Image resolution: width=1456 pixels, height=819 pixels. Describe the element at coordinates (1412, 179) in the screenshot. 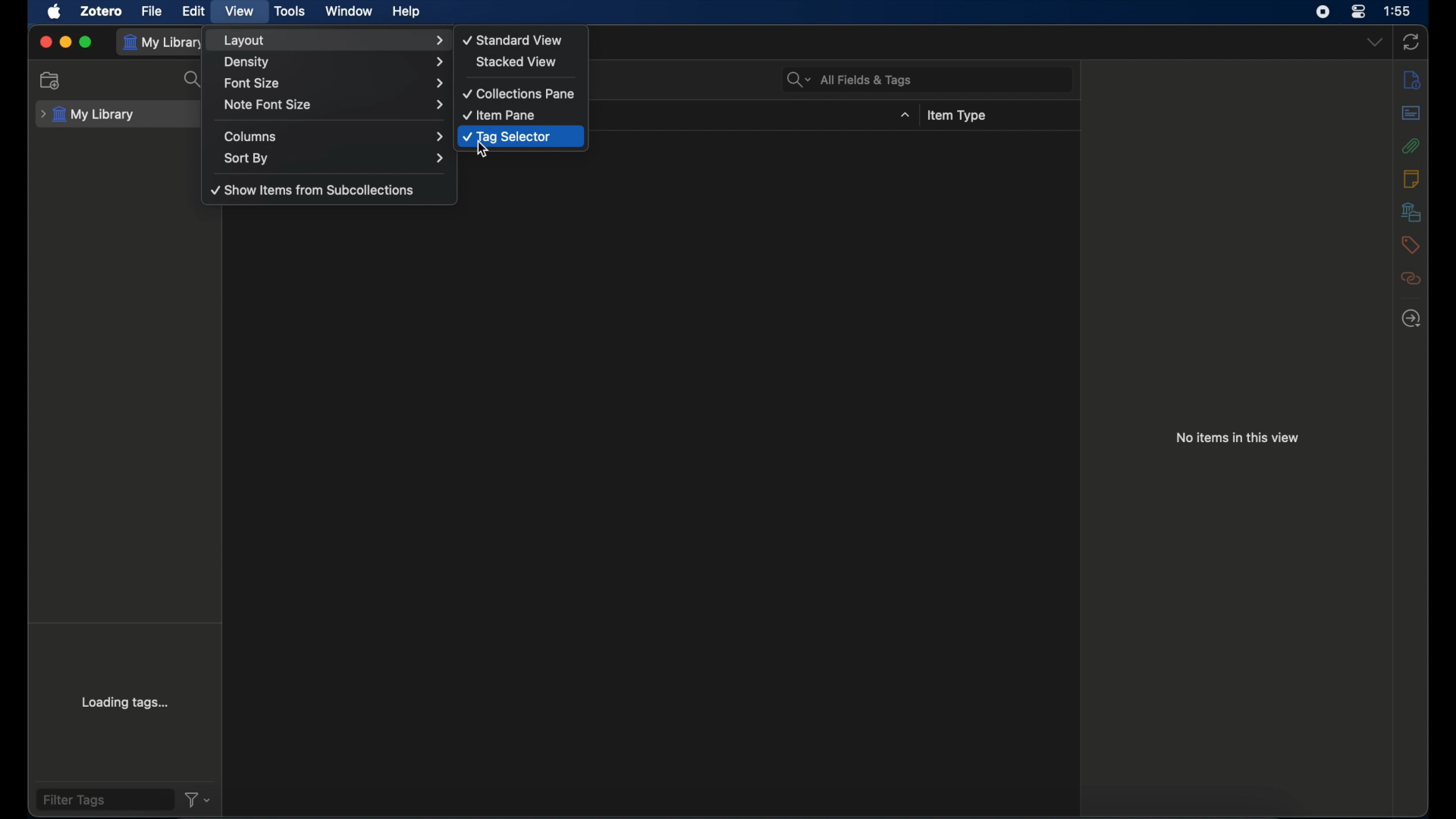

I see `notes` at that location.